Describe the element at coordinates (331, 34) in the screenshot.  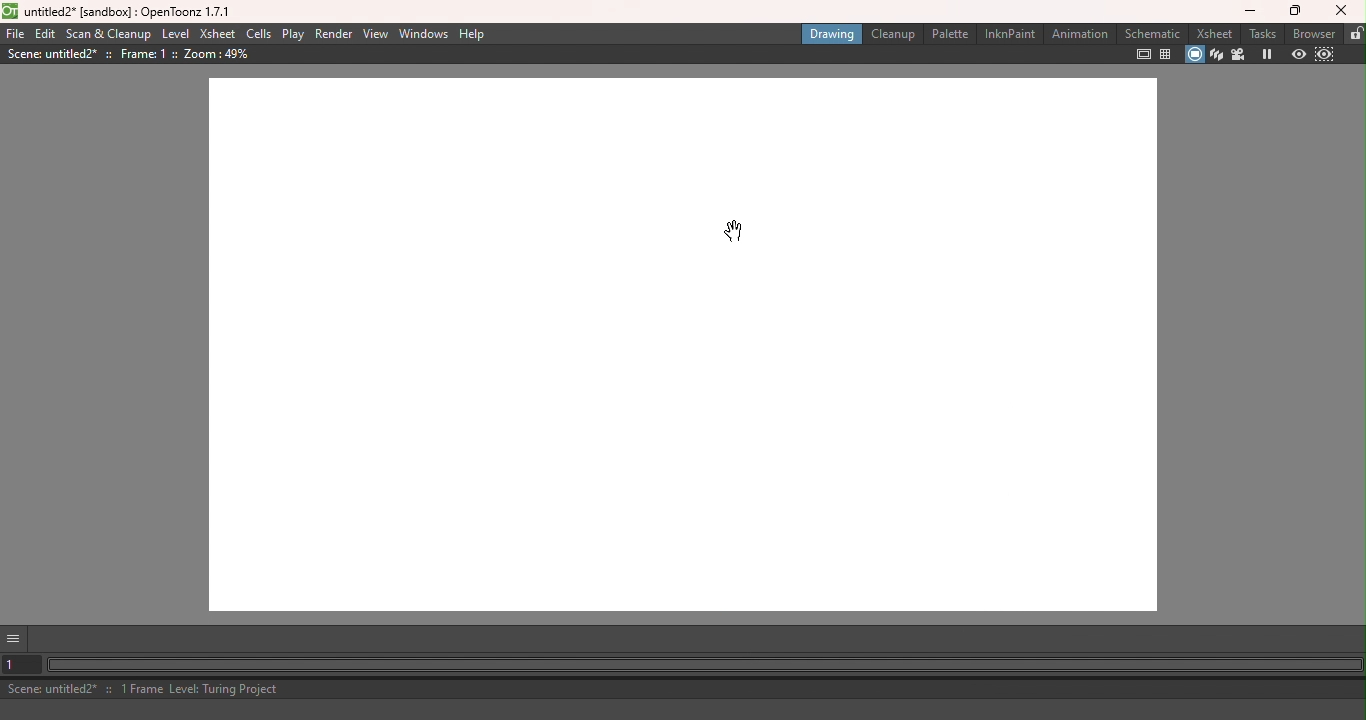
I see `Render` at that location.